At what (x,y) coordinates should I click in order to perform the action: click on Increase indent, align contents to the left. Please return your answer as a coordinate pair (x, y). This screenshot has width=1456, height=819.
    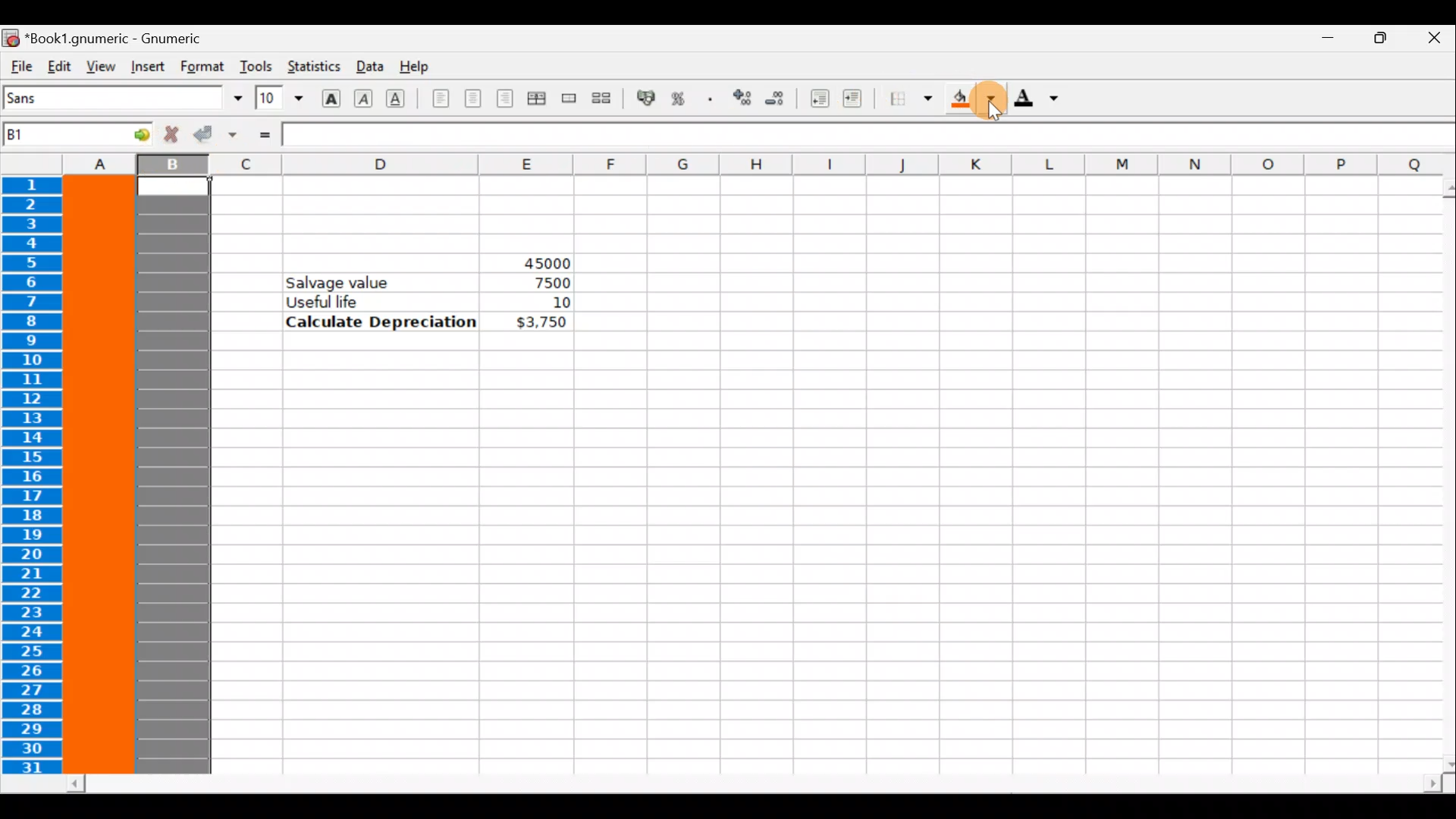
    Looking at the image, I should click on (859, 100).